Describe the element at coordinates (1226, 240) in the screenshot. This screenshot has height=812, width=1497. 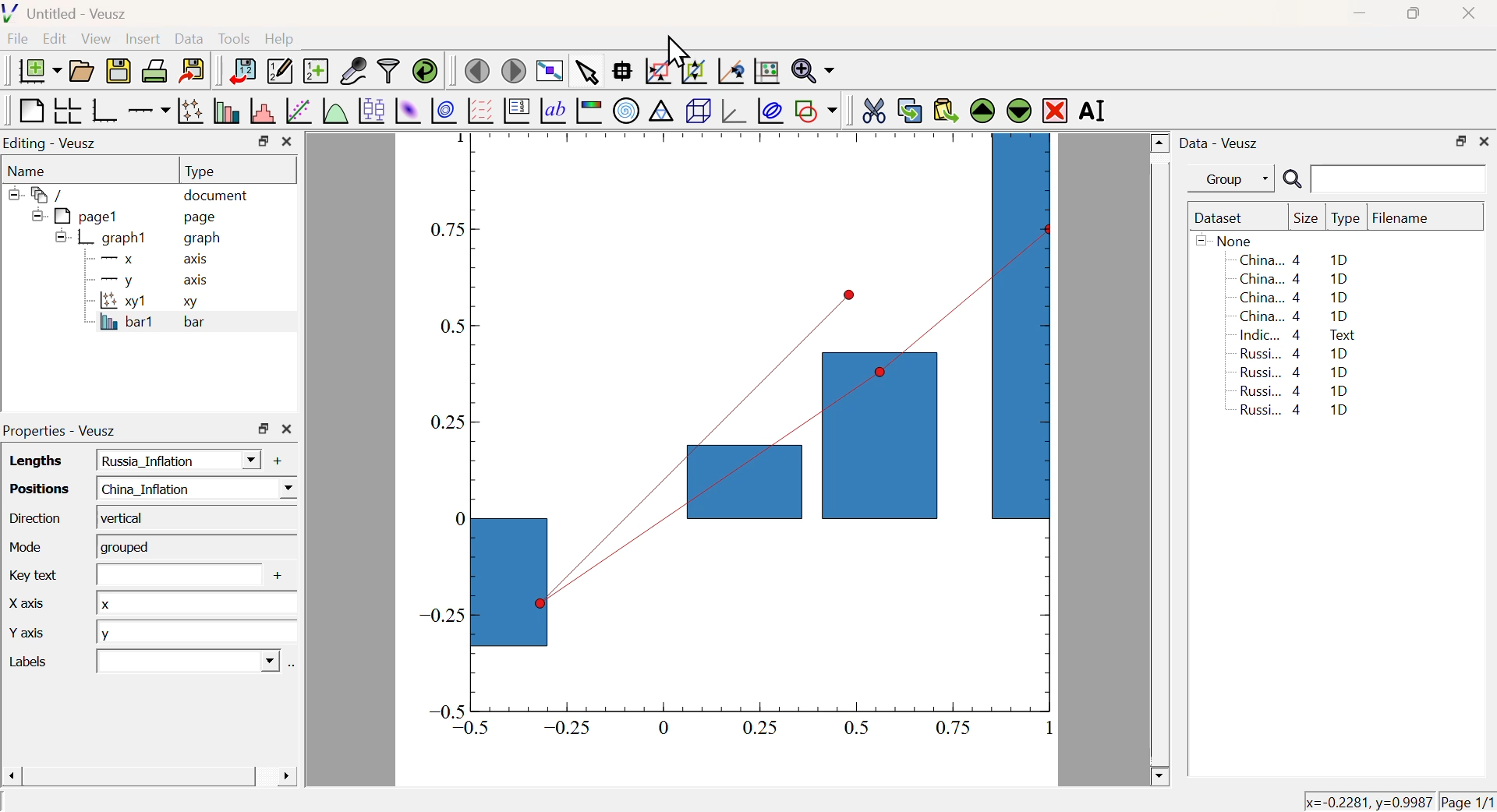
I see `None` at that location.